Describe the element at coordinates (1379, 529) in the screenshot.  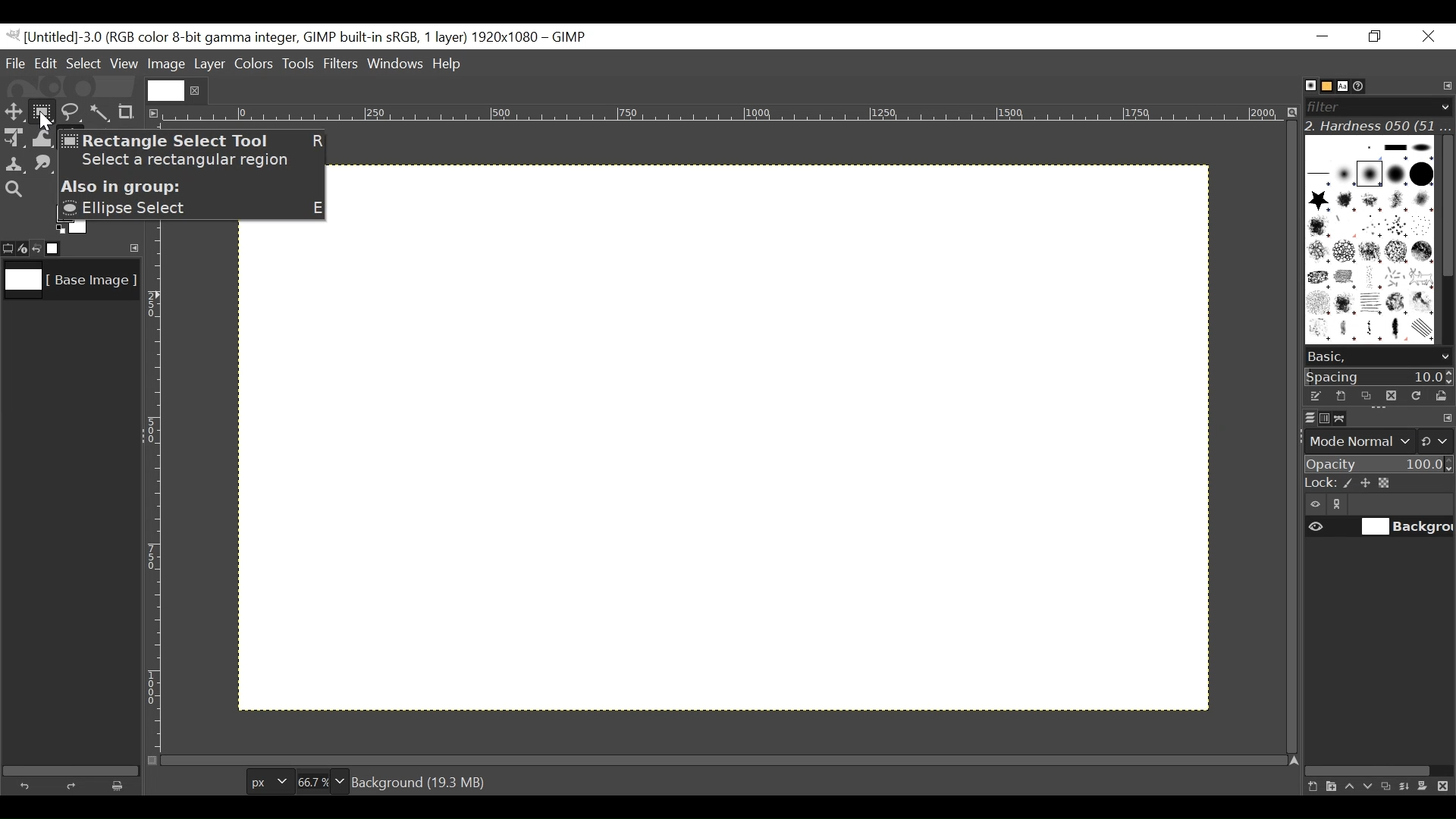
I see `(un)select item visibility background` at that location.